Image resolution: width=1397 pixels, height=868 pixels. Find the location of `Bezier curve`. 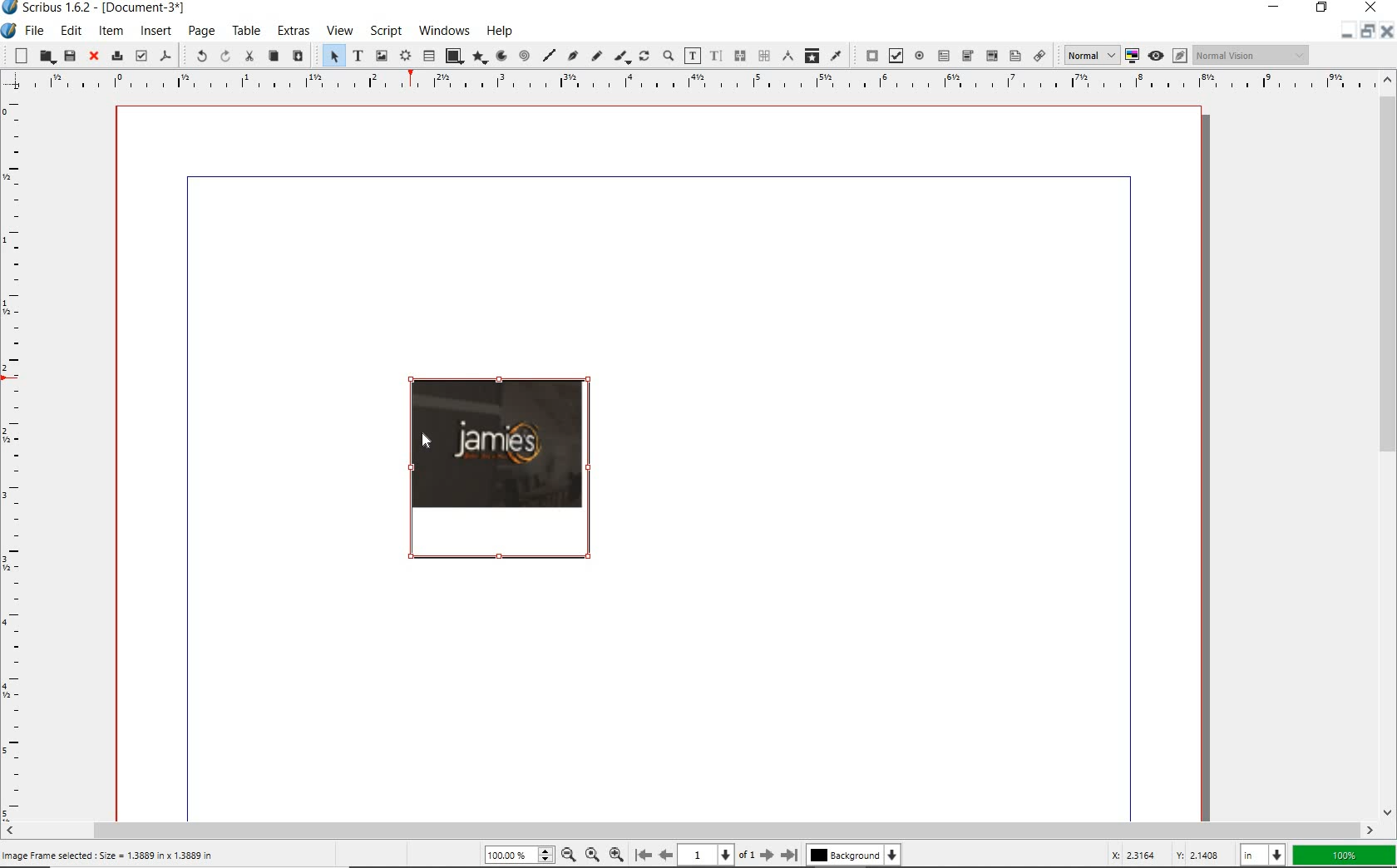

Bezier curve is located at coordinates (572, 55).